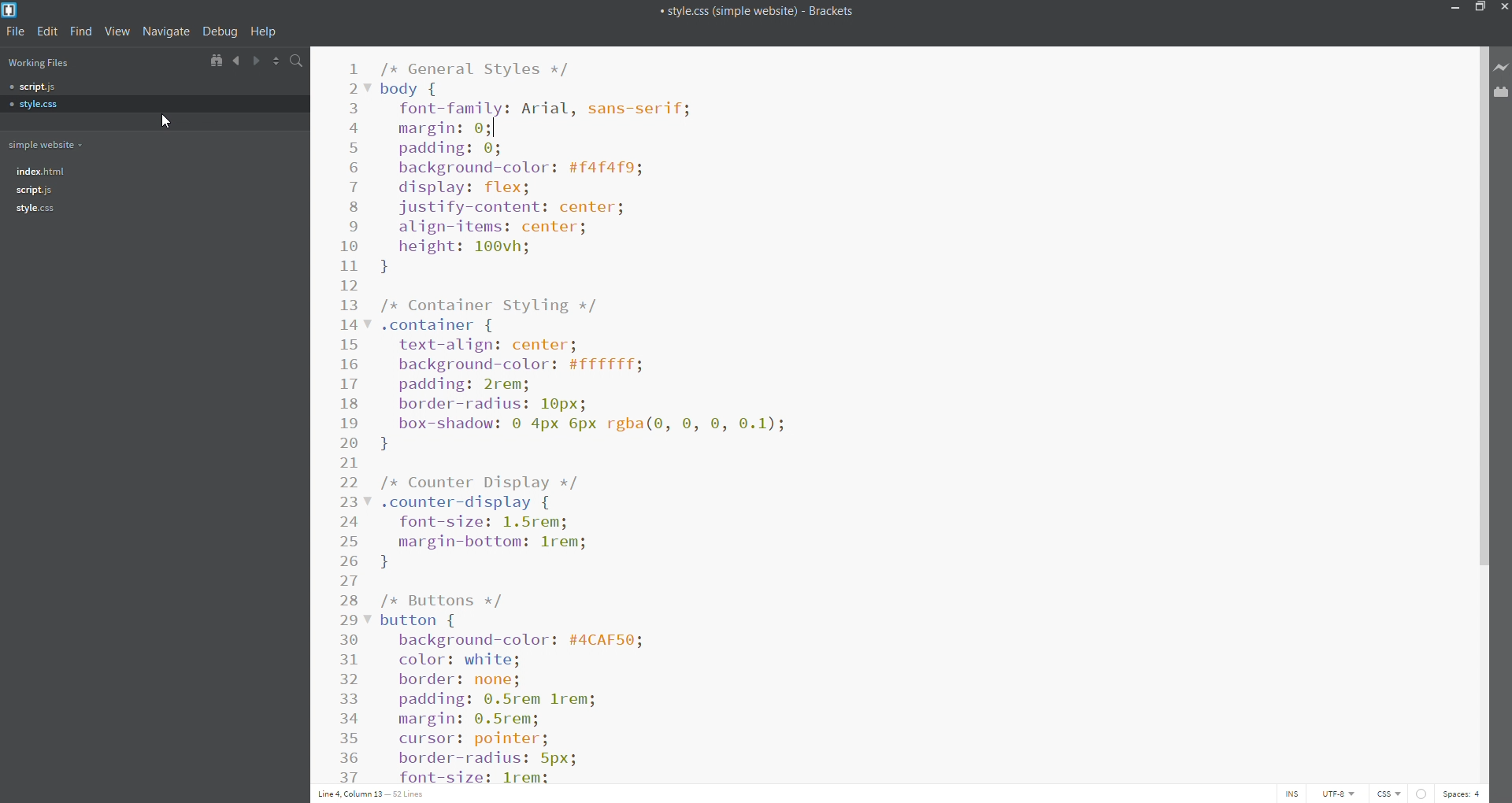 The image size is (1512, 803). I want to click on live preview, so click(1502, 69).